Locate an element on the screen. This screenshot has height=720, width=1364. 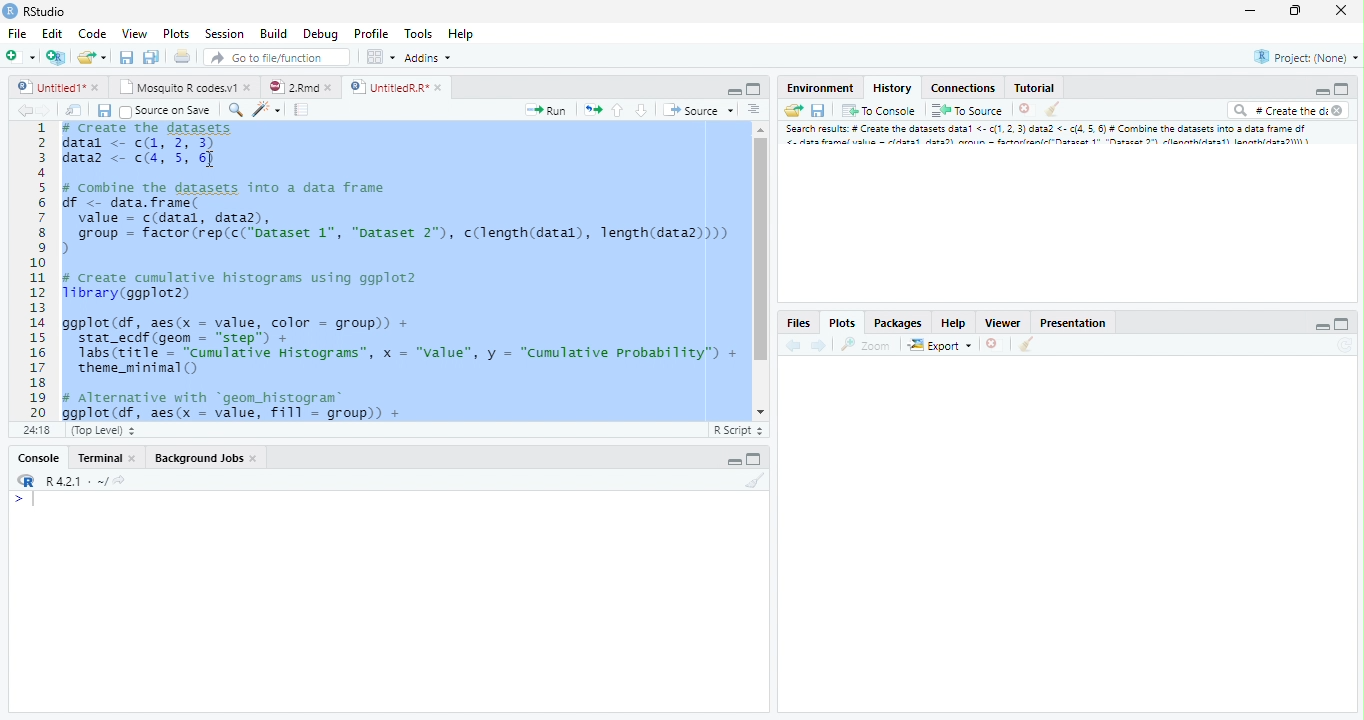
Print is located at coordinates (185, 57).